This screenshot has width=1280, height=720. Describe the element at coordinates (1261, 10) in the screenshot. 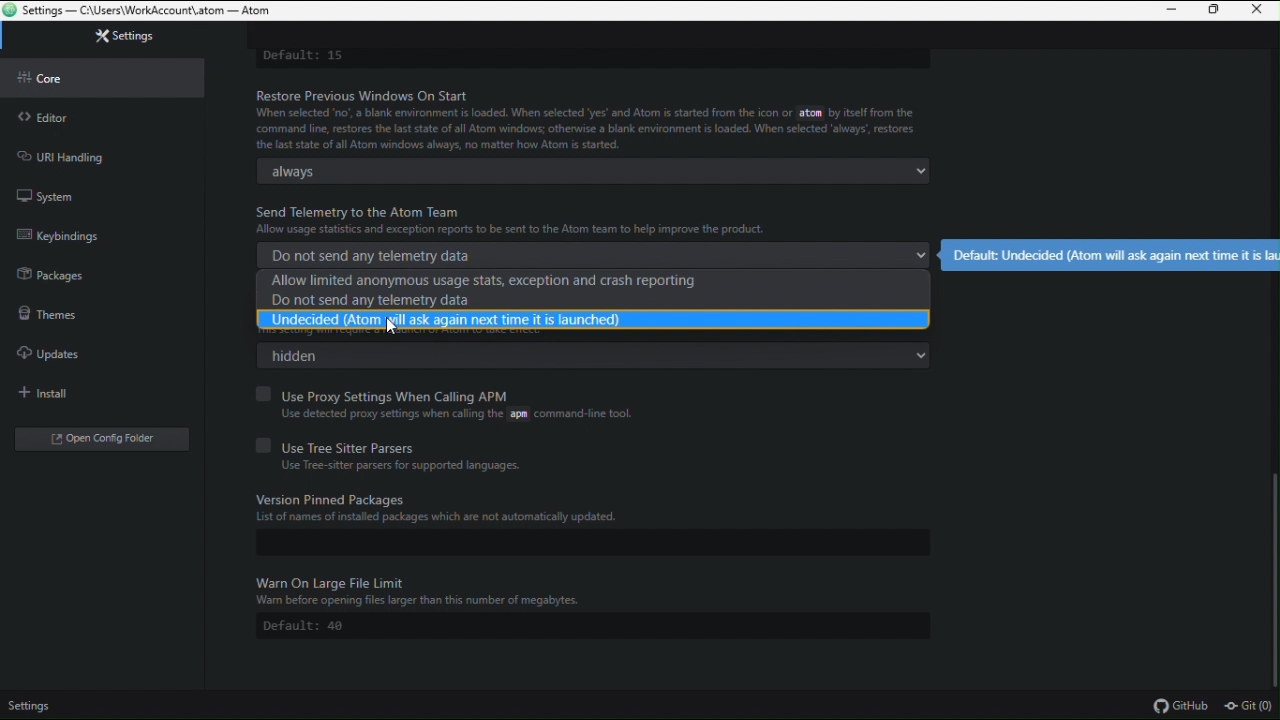

I see `close` at that location.